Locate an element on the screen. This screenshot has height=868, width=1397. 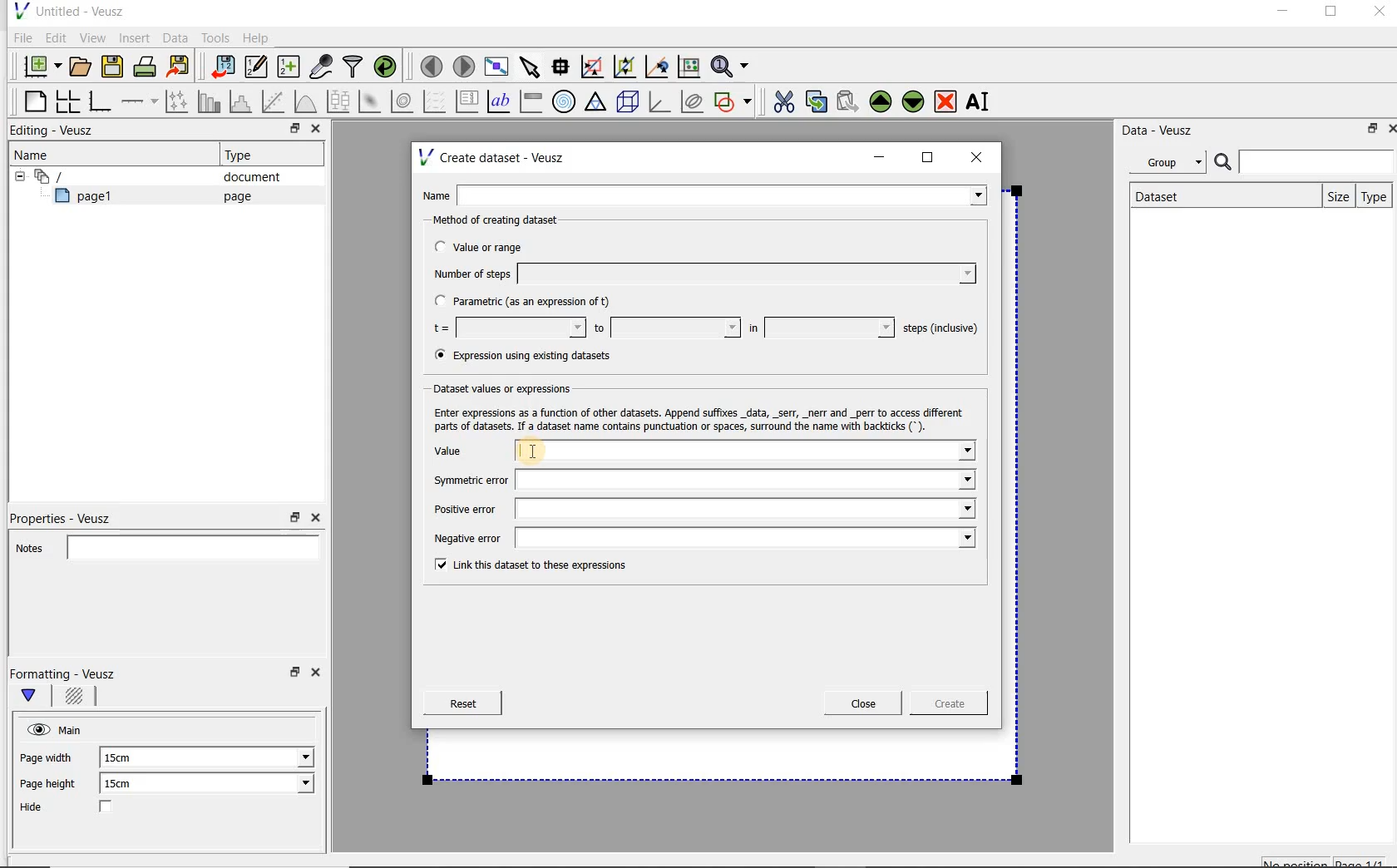
add a shape to the plot is located at coordinates (734, 100).